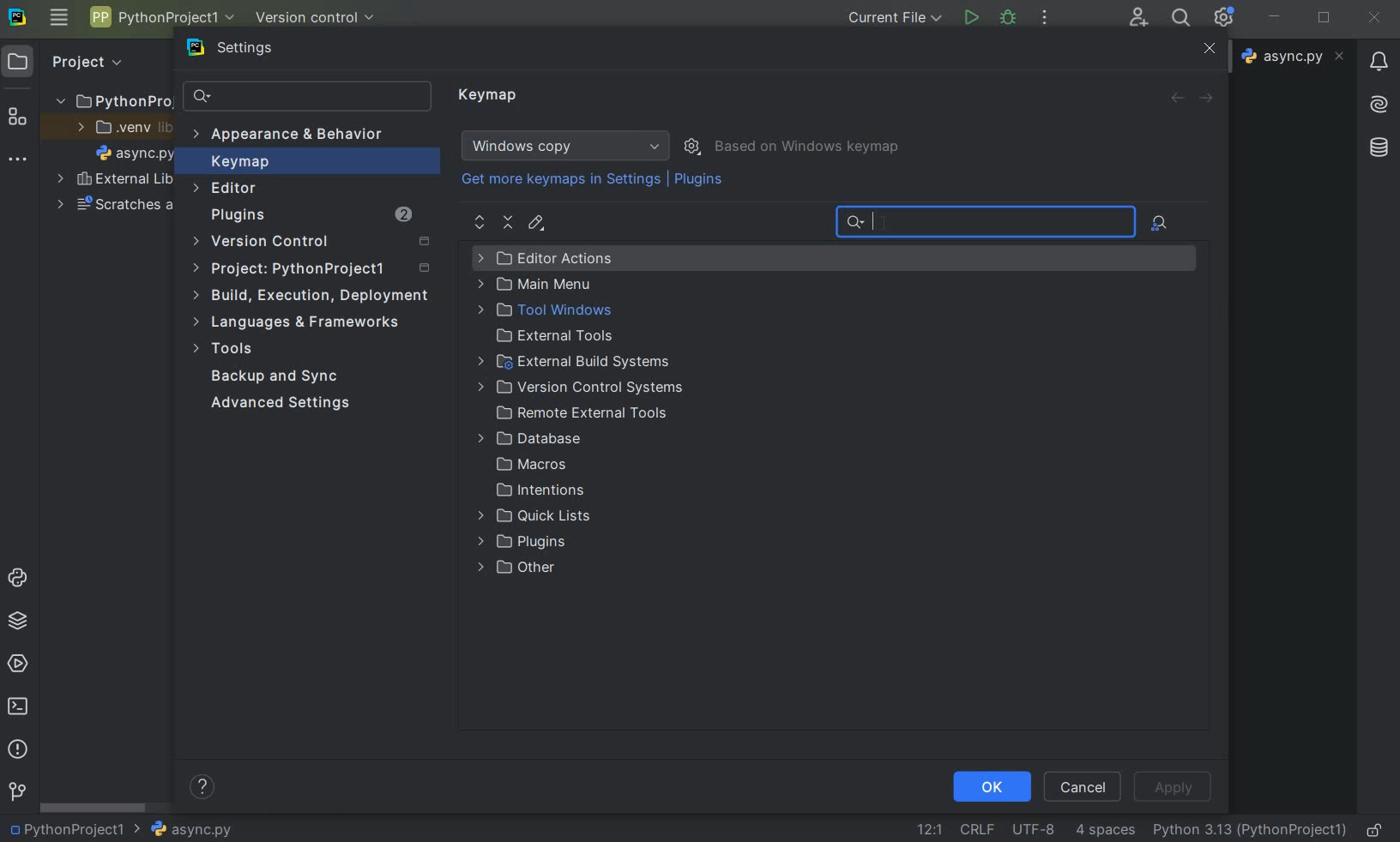 The image size is (1400, 842). I want to click on debug, so click(1009, 16).